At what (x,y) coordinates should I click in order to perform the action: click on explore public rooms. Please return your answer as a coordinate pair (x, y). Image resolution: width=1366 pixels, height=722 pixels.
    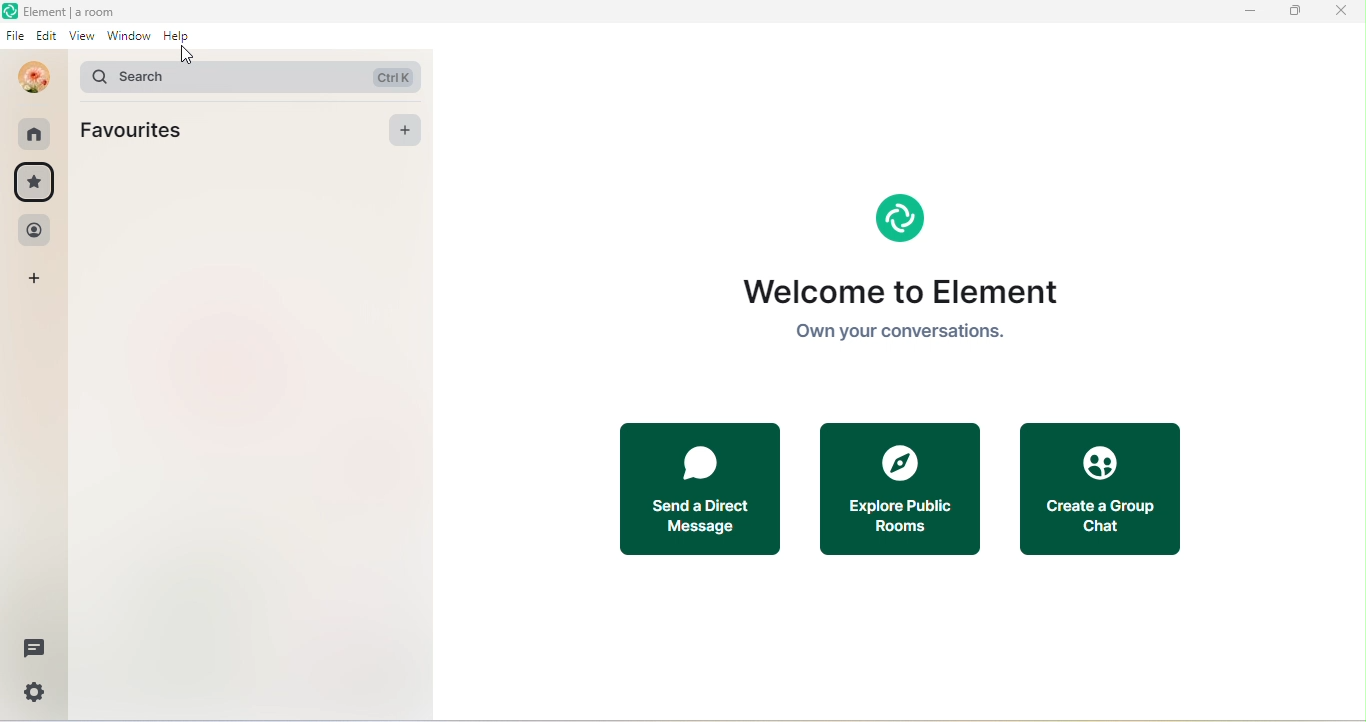
    Looking at the image, I should click on (908, 495).